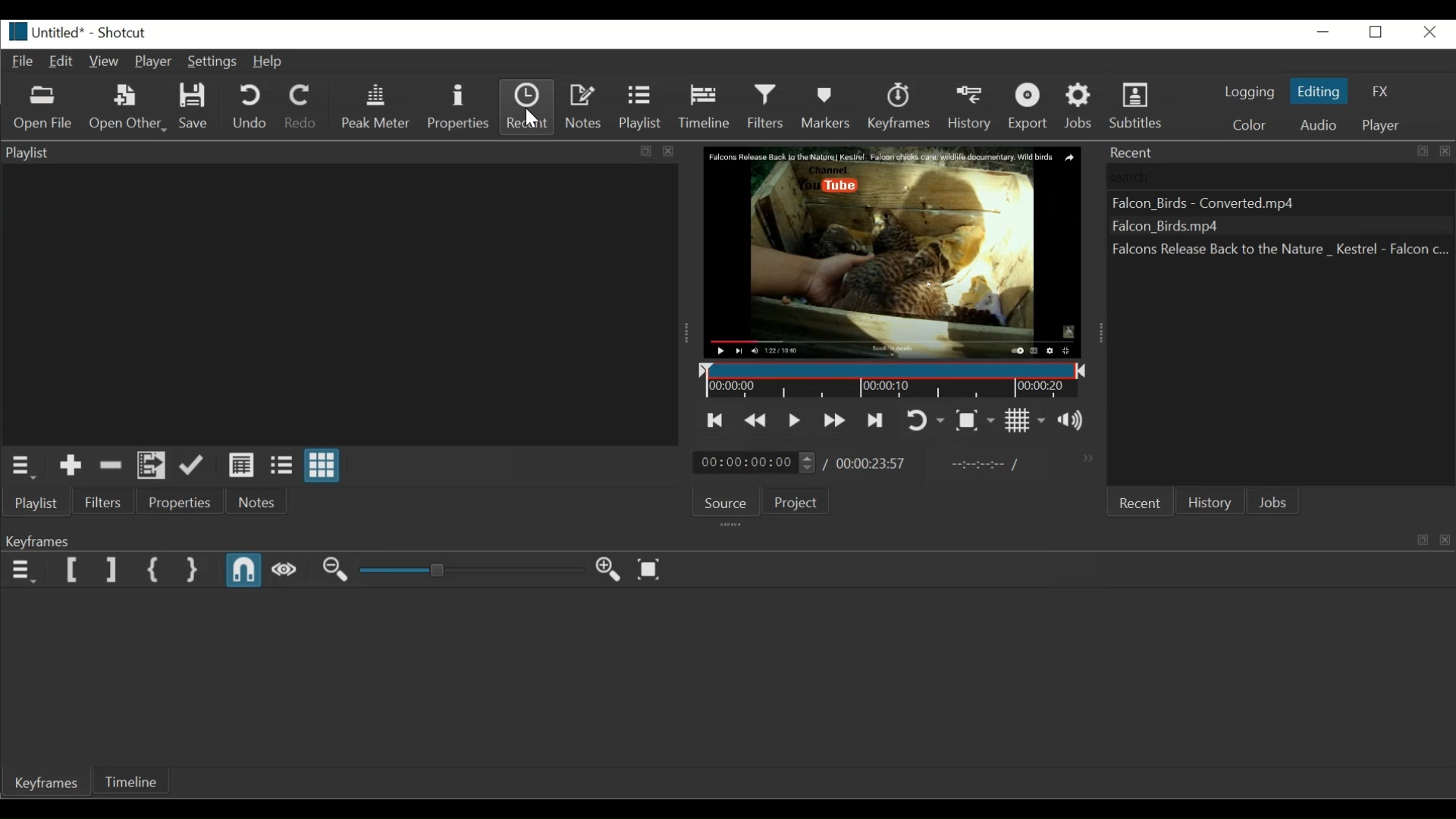 Image resolution: width=1456 pixels, height=819 pixels. I want to click on Subtitles, so click(1137, 106).